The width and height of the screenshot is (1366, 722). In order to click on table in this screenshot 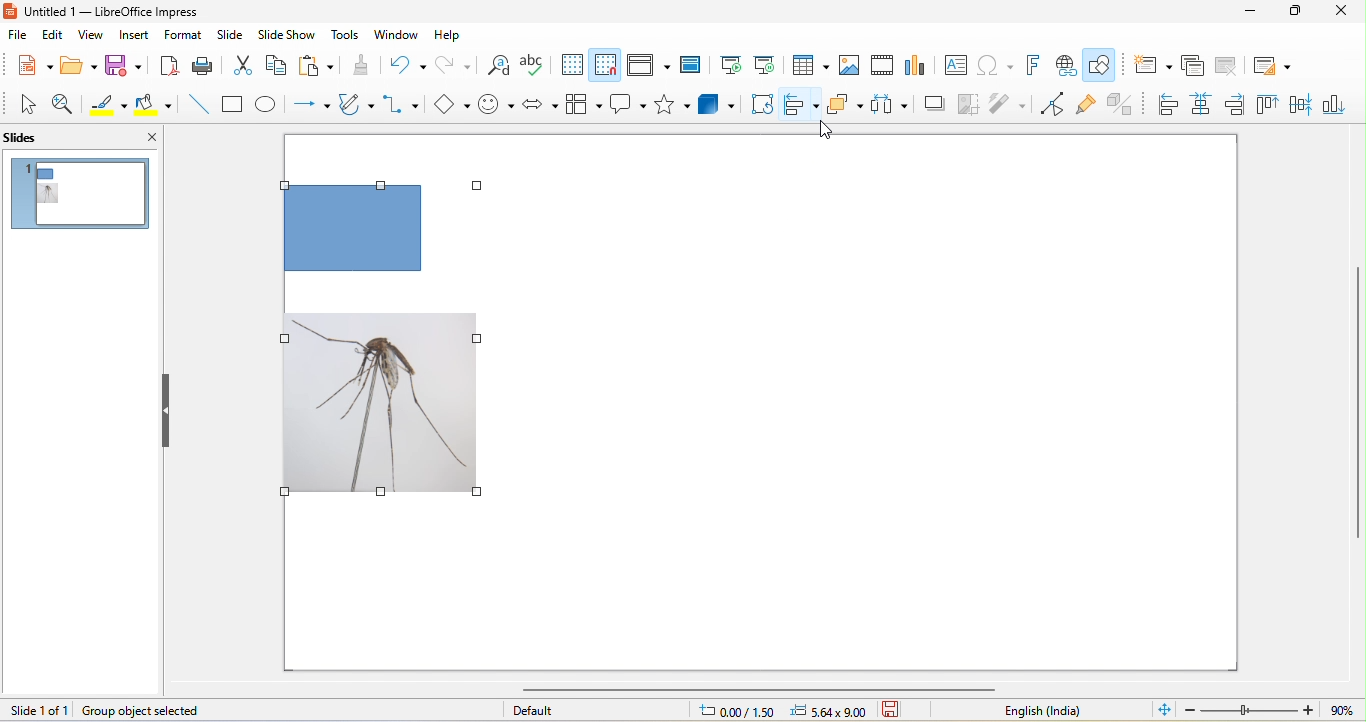, I will do `click(811, 64)`.